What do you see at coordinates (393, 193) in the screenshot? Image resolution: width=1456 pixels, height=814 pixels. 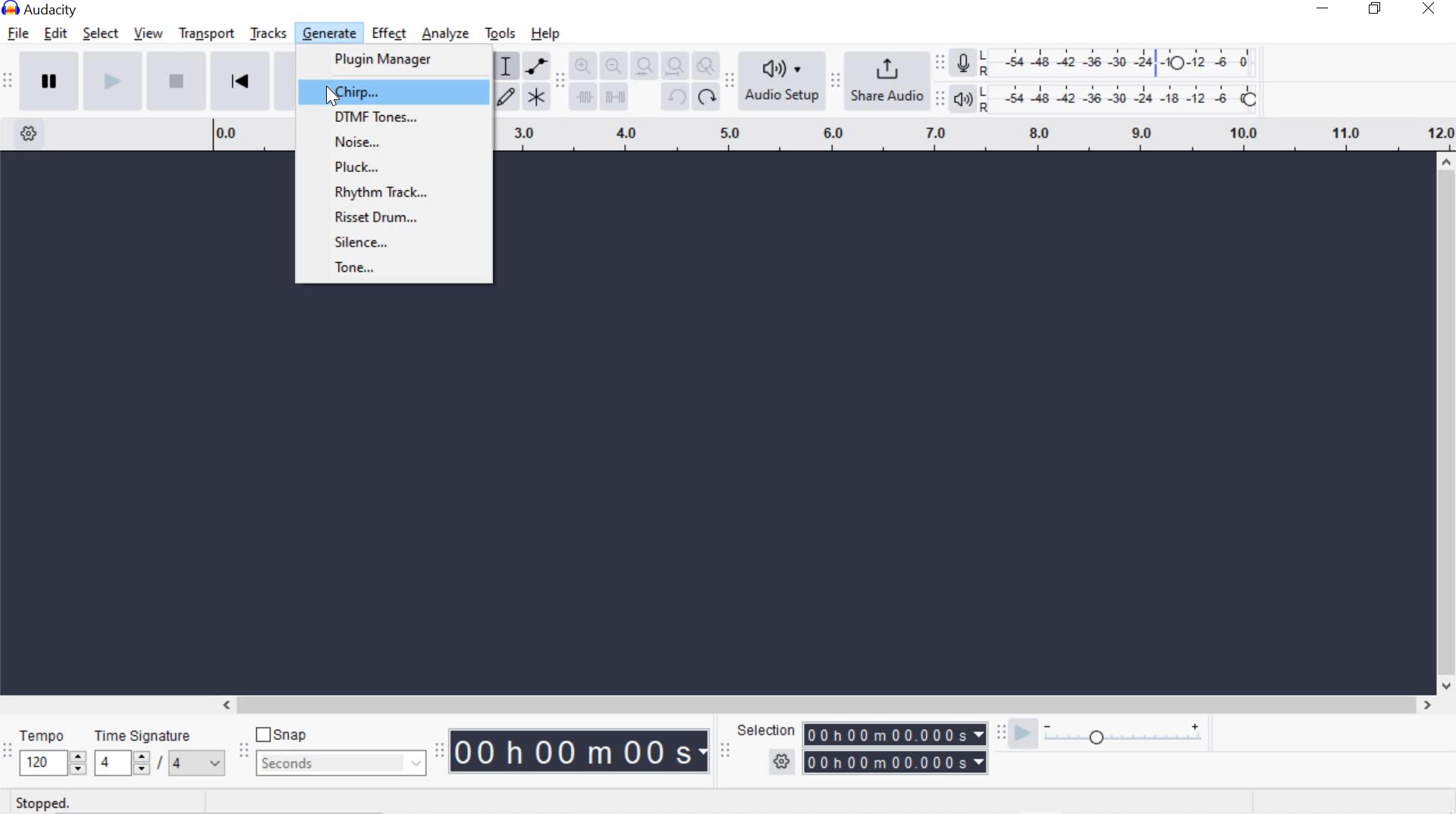 I see `rhythm track` at bounding box center [393, 193].